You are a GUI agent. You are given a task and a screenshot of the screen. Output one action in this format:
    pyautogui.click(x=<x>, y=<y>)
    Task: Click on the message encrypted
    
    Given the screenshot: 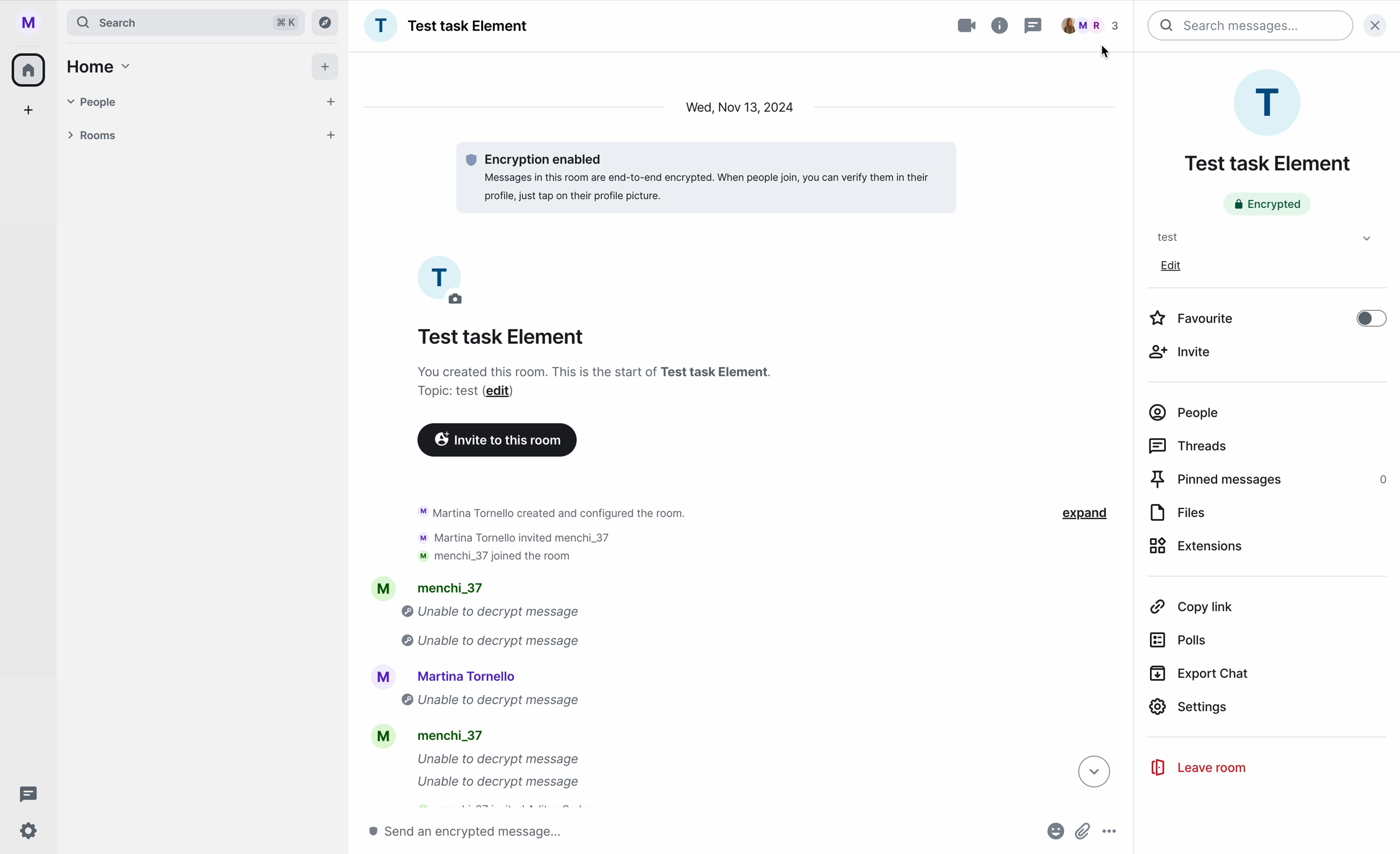 What is the action you would take?
    pyautogui.click(x=701, y=174)
    